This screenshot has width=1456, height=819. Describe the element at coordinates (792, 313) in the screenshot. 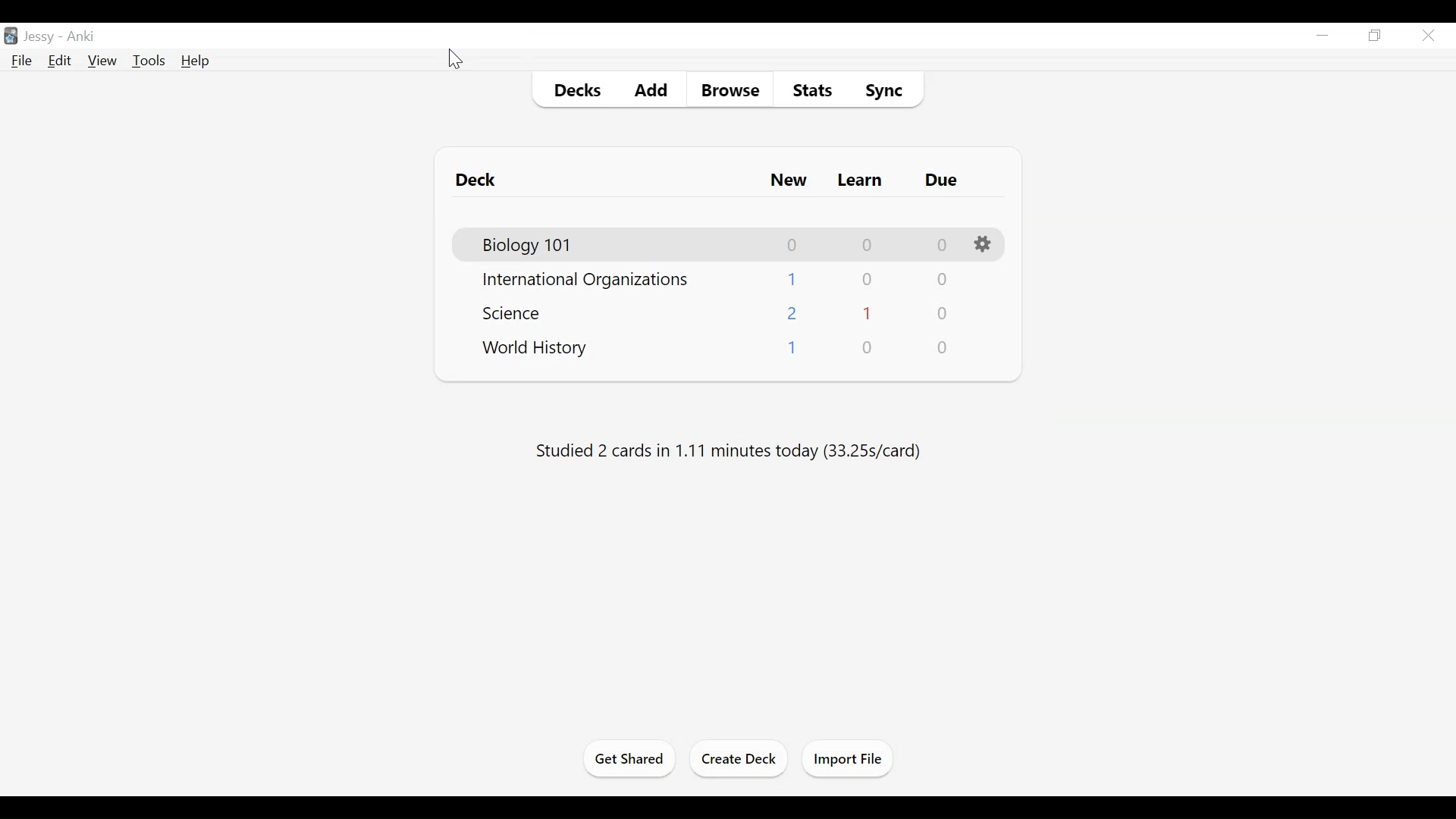

I see `New Cards Count` at that location.